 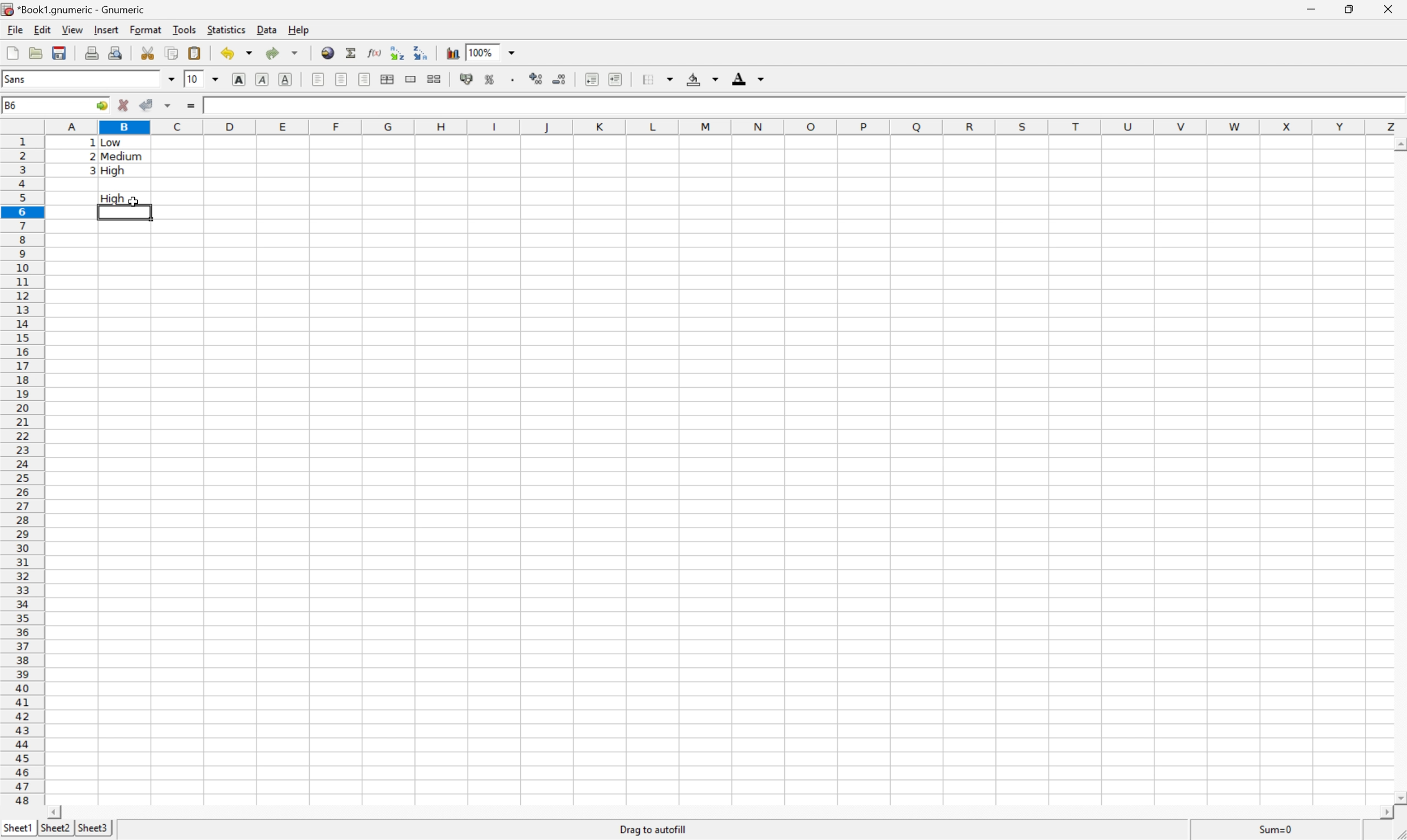 What do you see at coordinates (655, 830) in the screenshot?
I see `Drag to autofill` at bounding box center [655, 830].